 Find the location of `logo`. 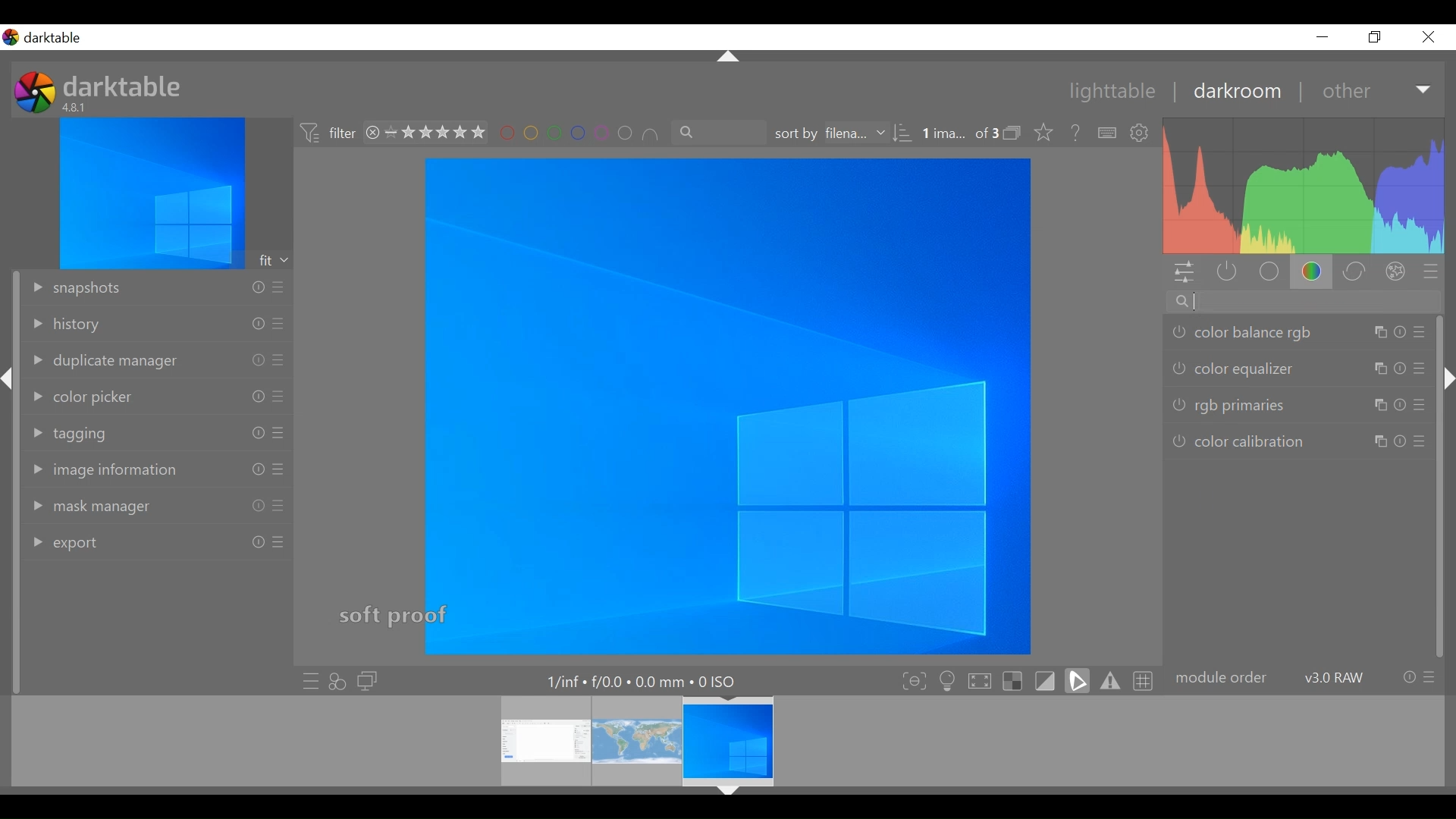

logo is located at coordinates (11, 37).